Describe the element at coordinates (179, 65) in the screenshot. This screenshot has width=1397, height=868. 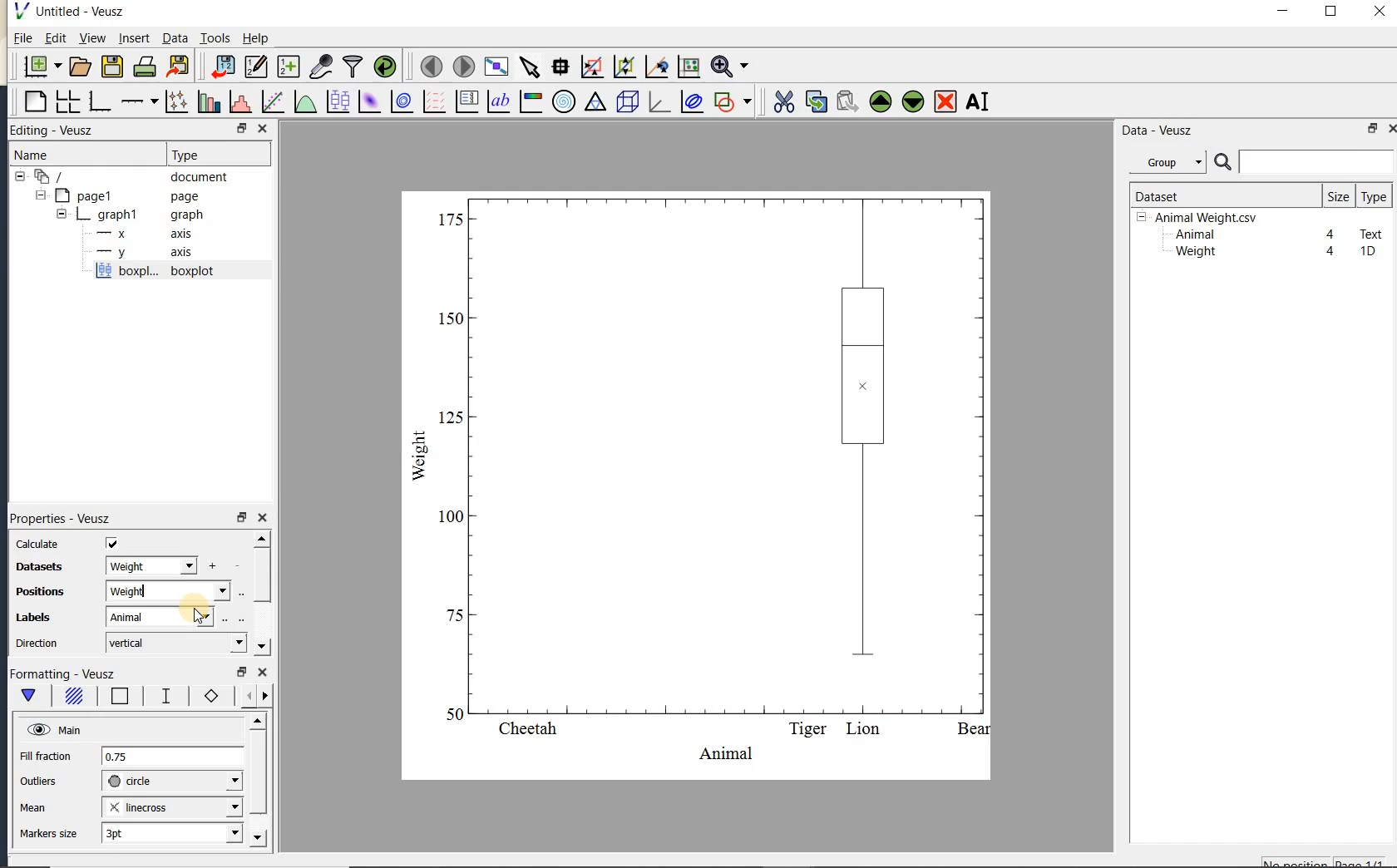
I see `export to graphics format` at that location.